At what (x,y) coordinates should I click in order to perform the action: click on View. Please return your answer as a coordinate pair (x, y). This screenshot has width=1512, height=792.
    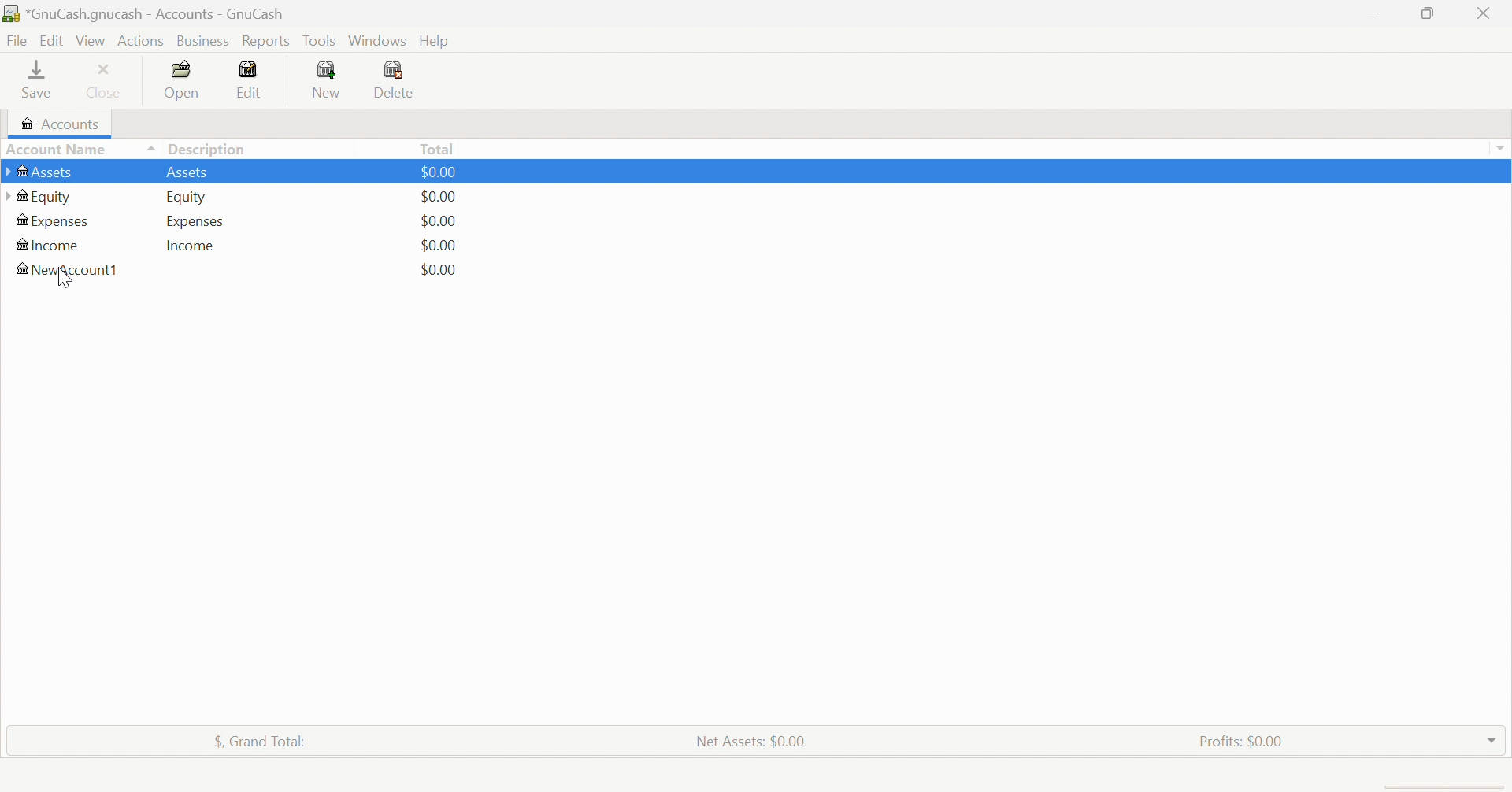
    Looking at the image, I should click on (91, 39).